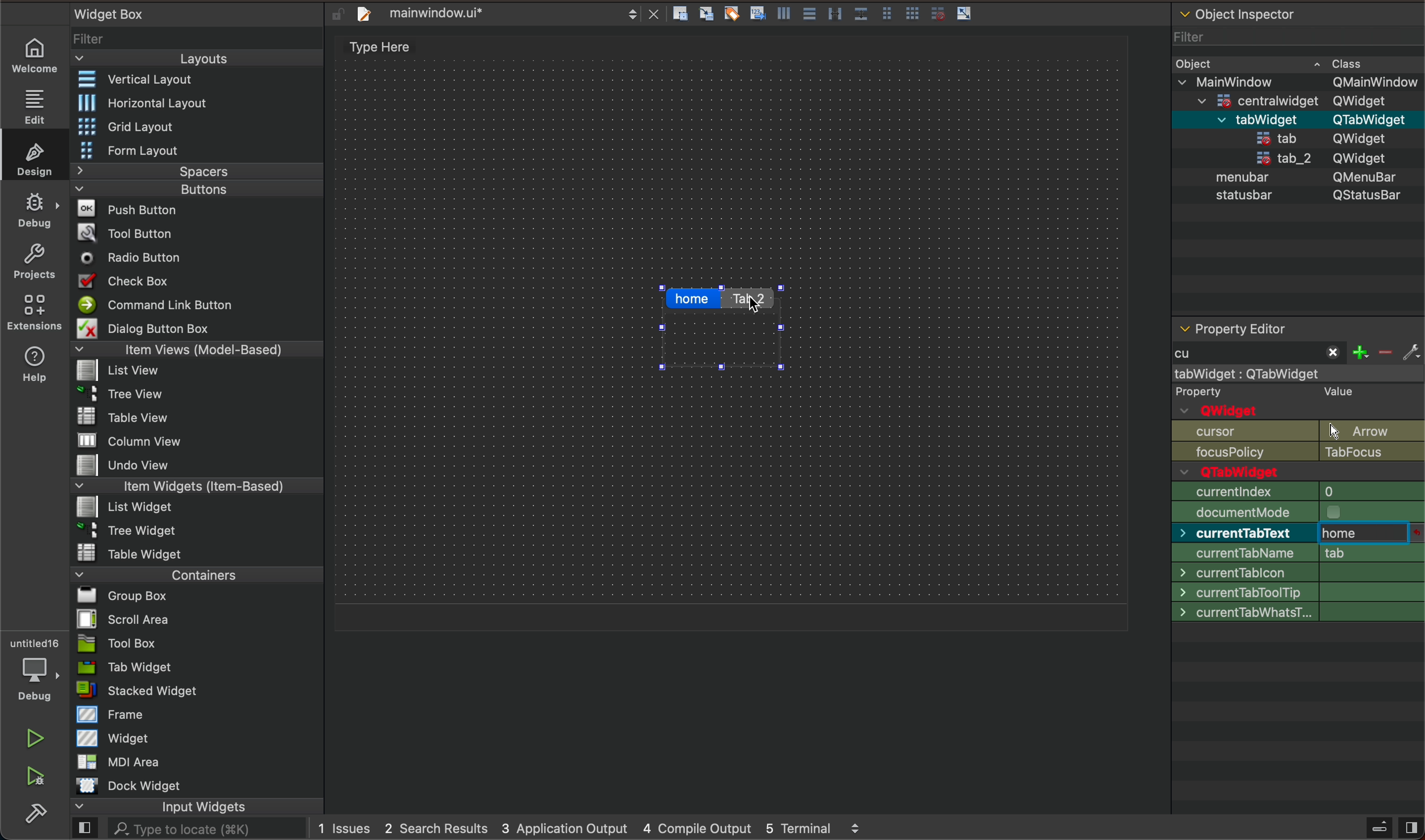 This screenshot has height=840, width=1425. I want to click on cursor, so click(1296, 652).